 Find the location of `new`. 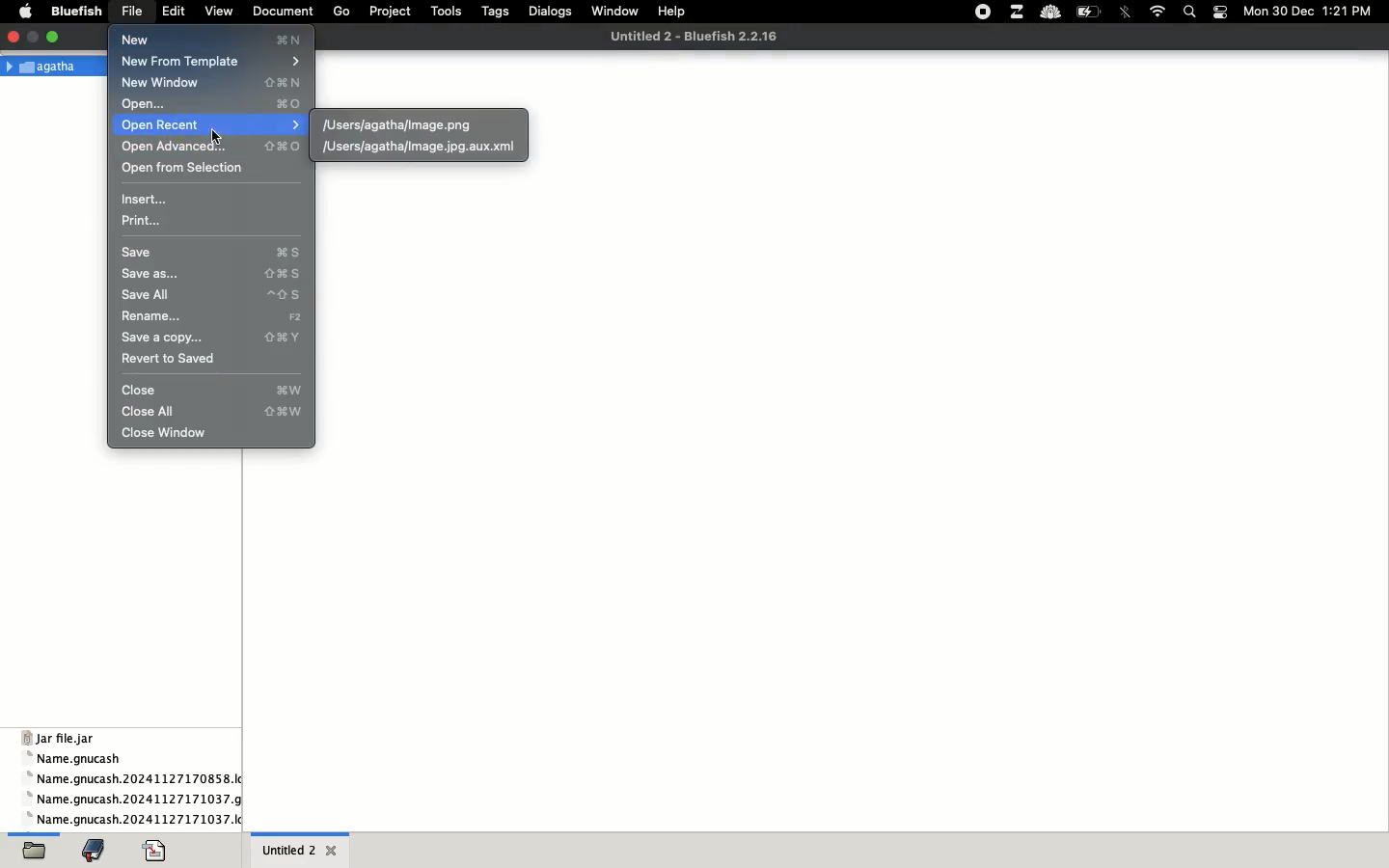

new is located at coordinates (213, 41).